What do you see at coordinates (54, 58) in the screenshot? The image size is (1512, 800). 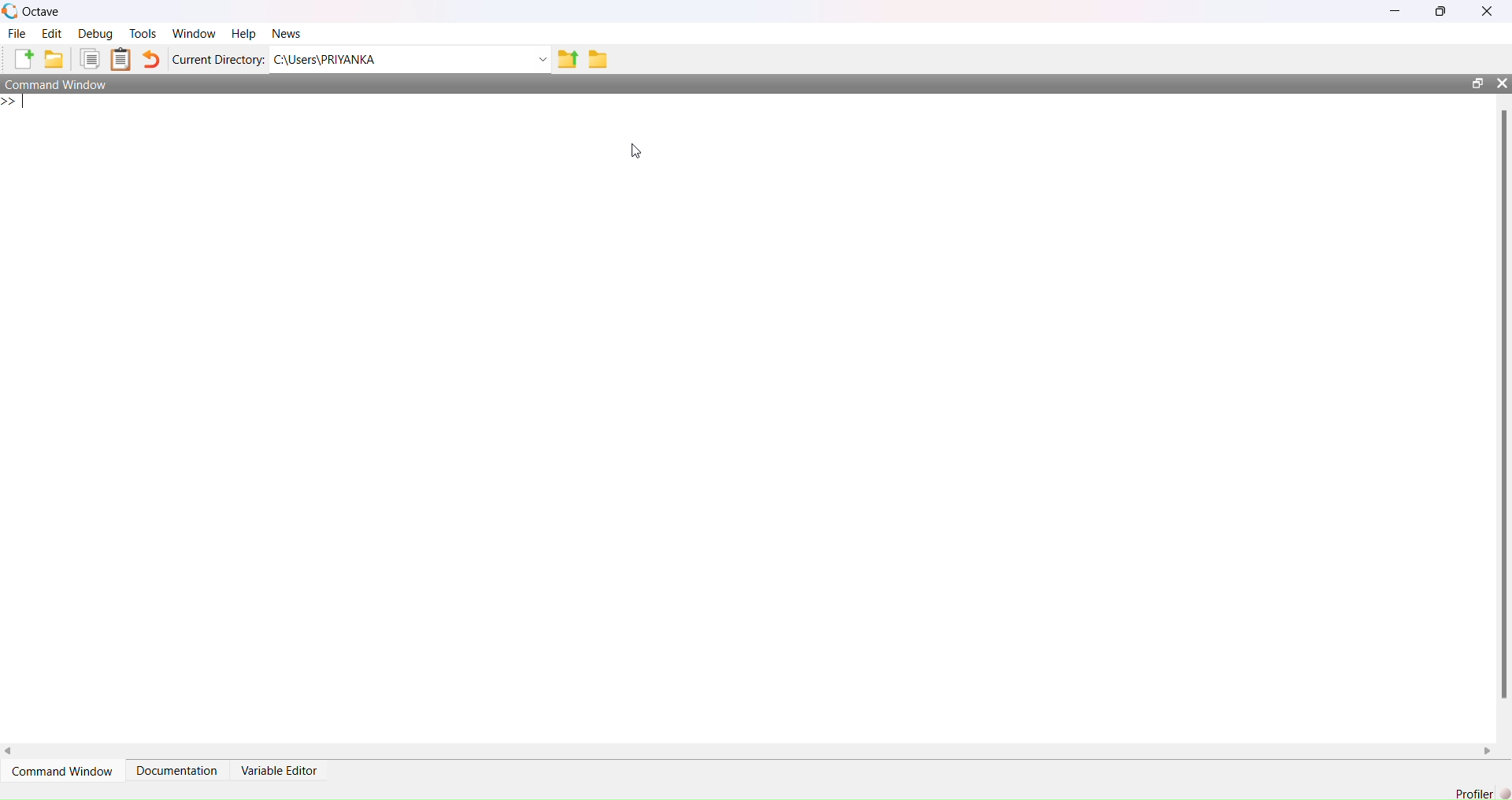 I see `Open an existing file in editor` at bounding box center [54, 58].